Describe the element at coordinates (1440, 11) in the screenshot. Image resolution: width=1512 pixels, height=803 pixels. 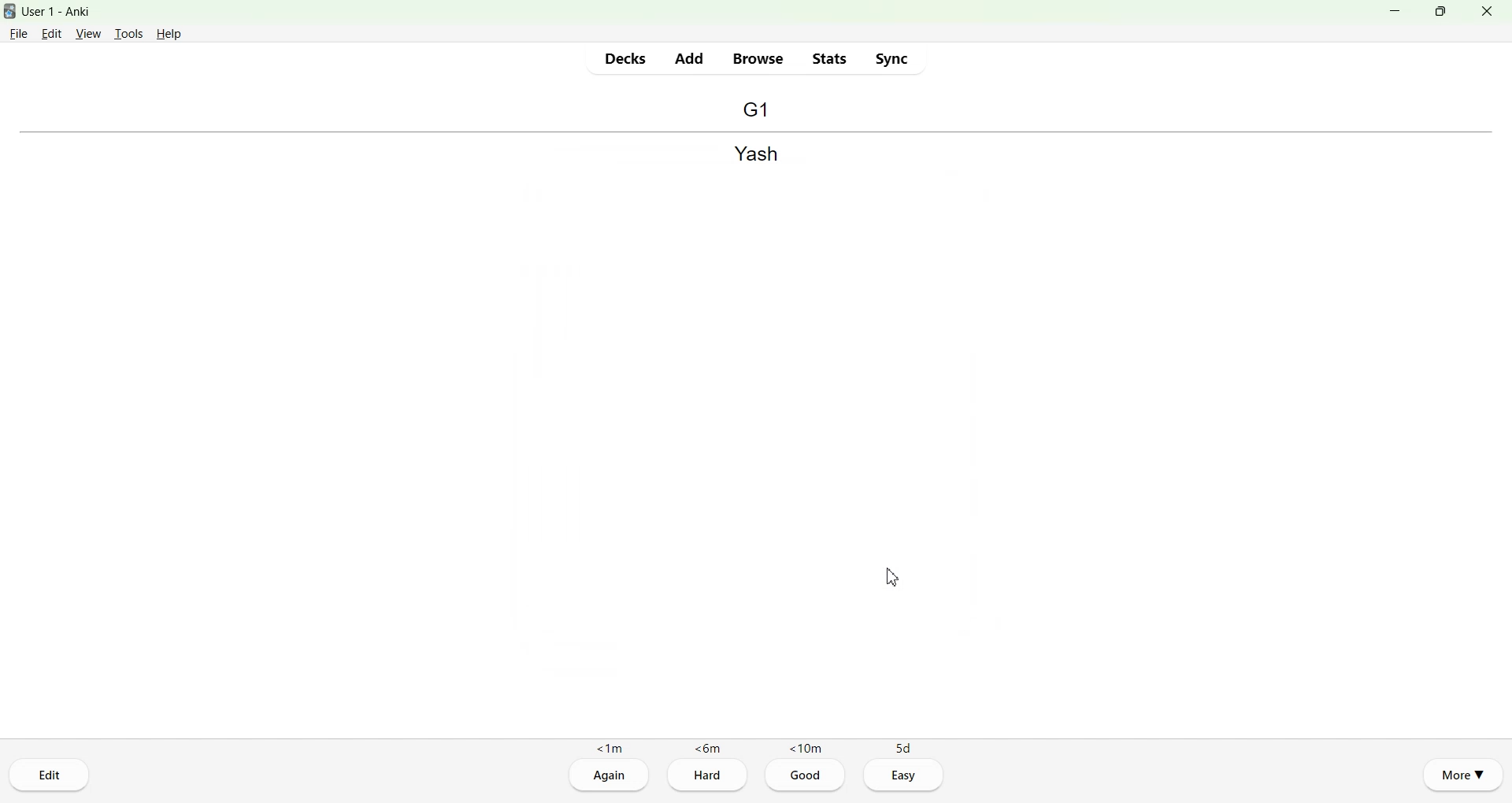
I see `Maximize` at that location.